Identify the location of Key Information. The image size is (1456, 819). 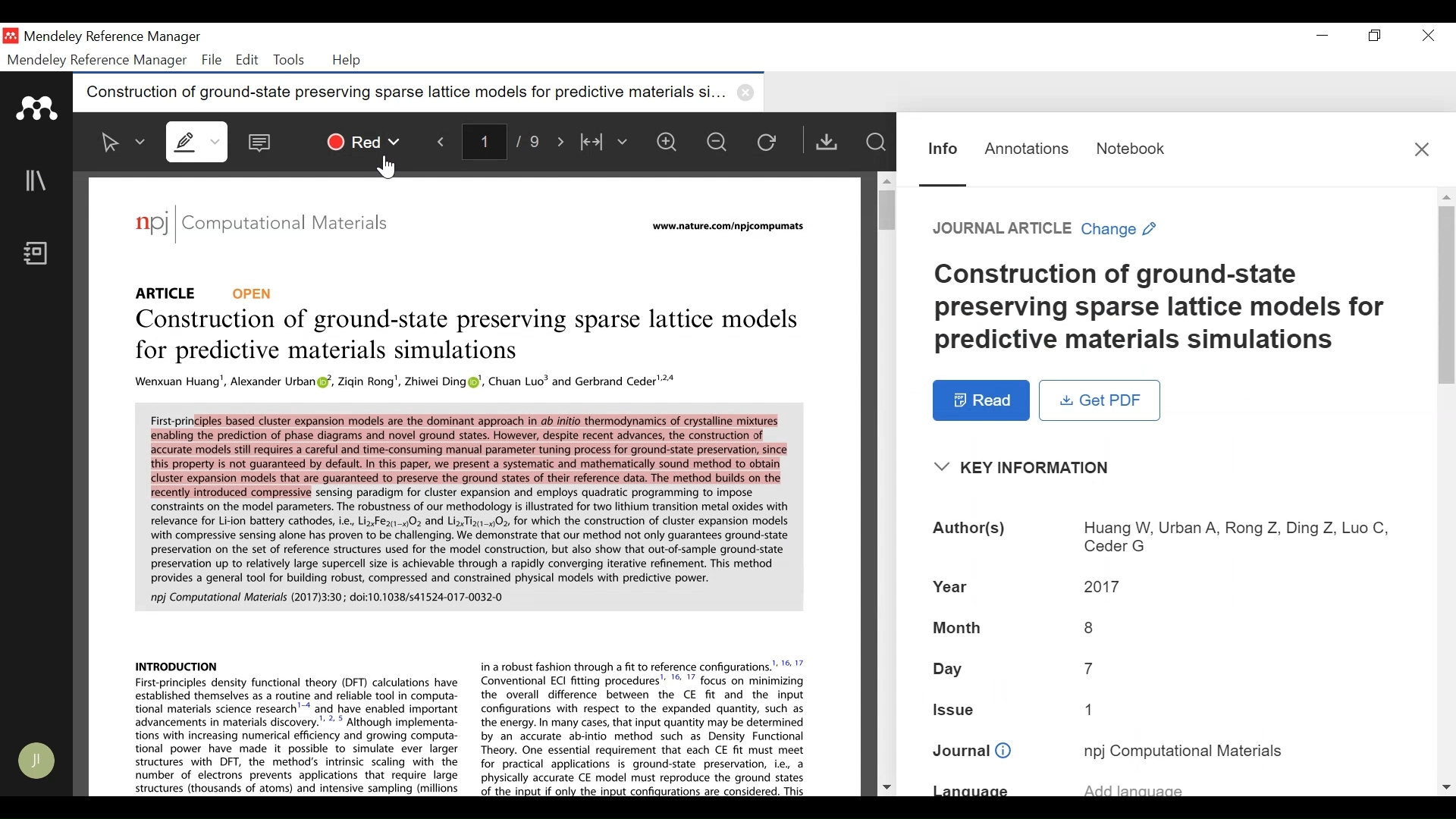
(1018, 469).